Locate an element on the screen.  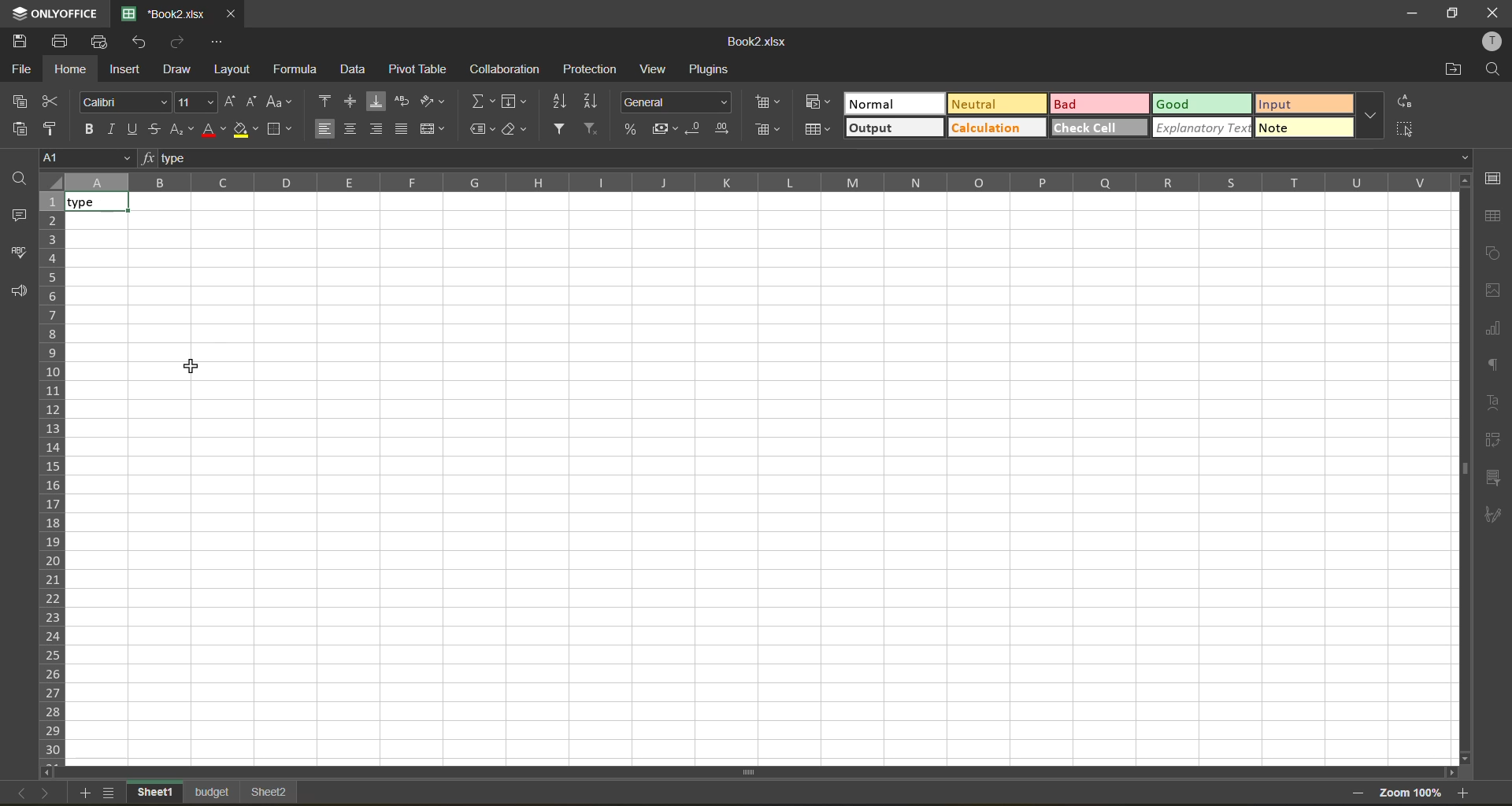
increment size is located at coordinates (232, 101).